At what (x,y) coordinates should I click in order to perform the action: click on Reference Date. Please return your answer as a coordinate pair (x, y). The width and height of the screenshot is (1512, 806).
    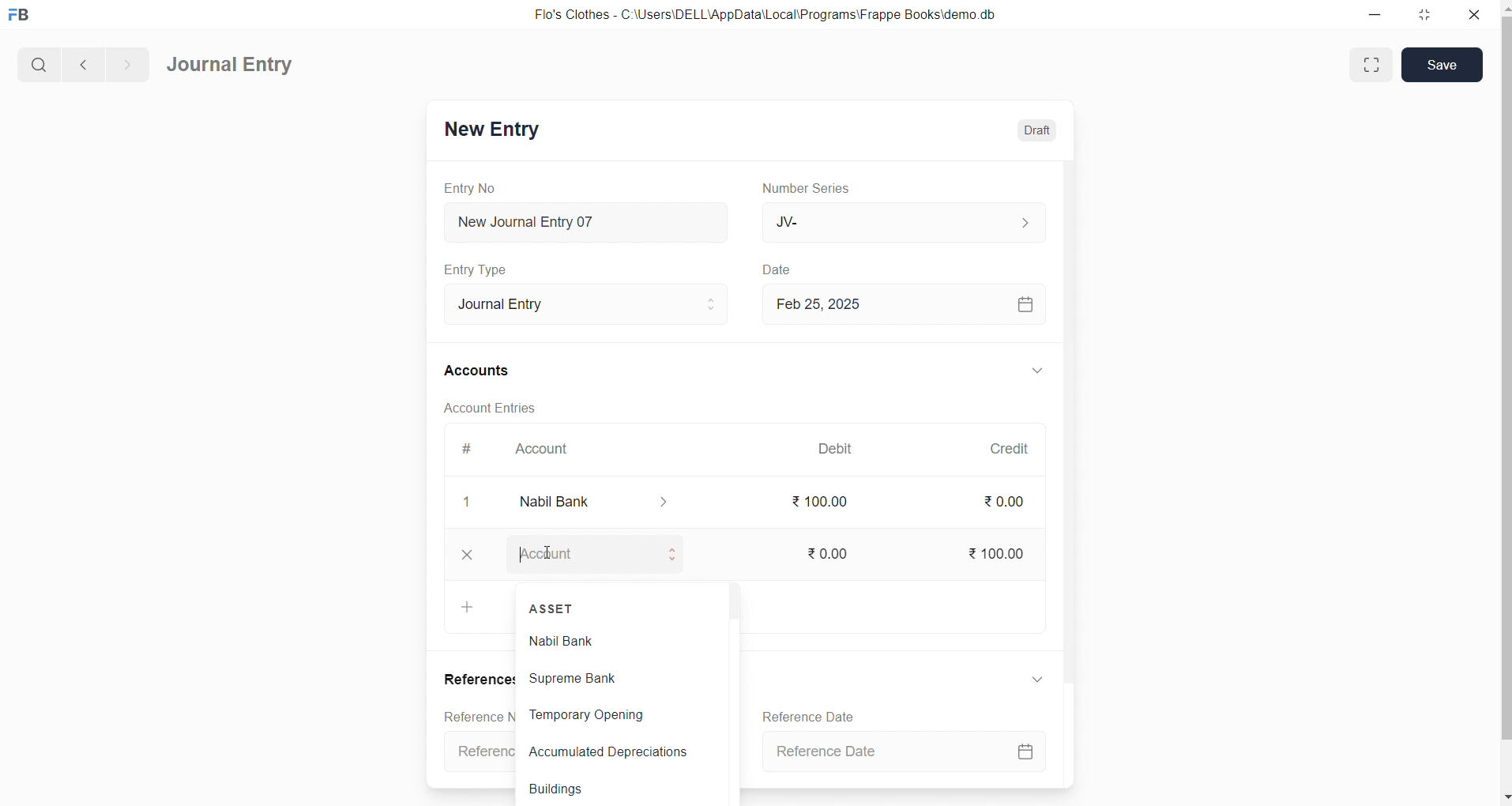
    Looking at the image, I should click on (813, 715).